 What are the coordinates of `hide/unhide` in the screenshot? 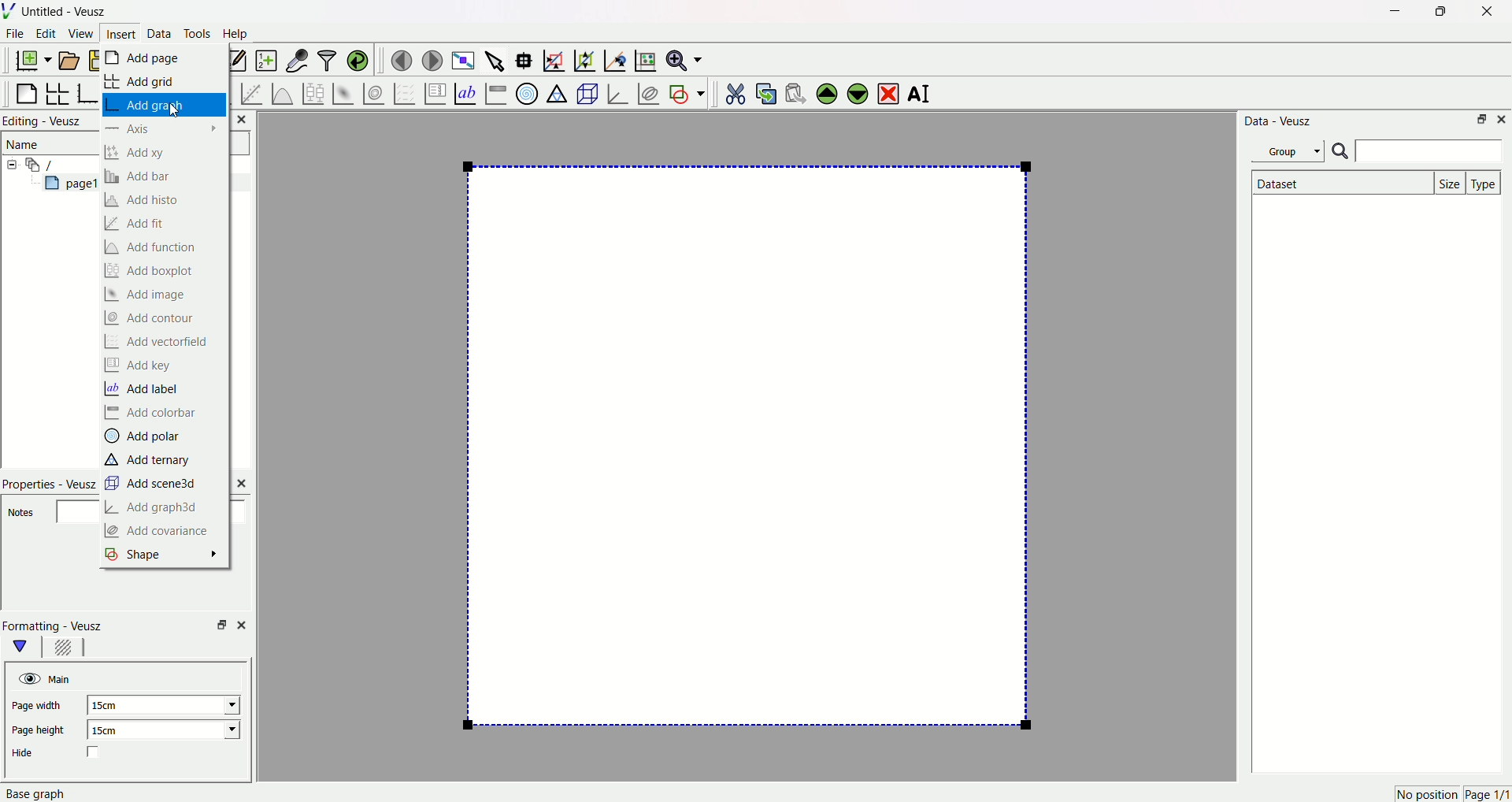 It's located at (28, 678).